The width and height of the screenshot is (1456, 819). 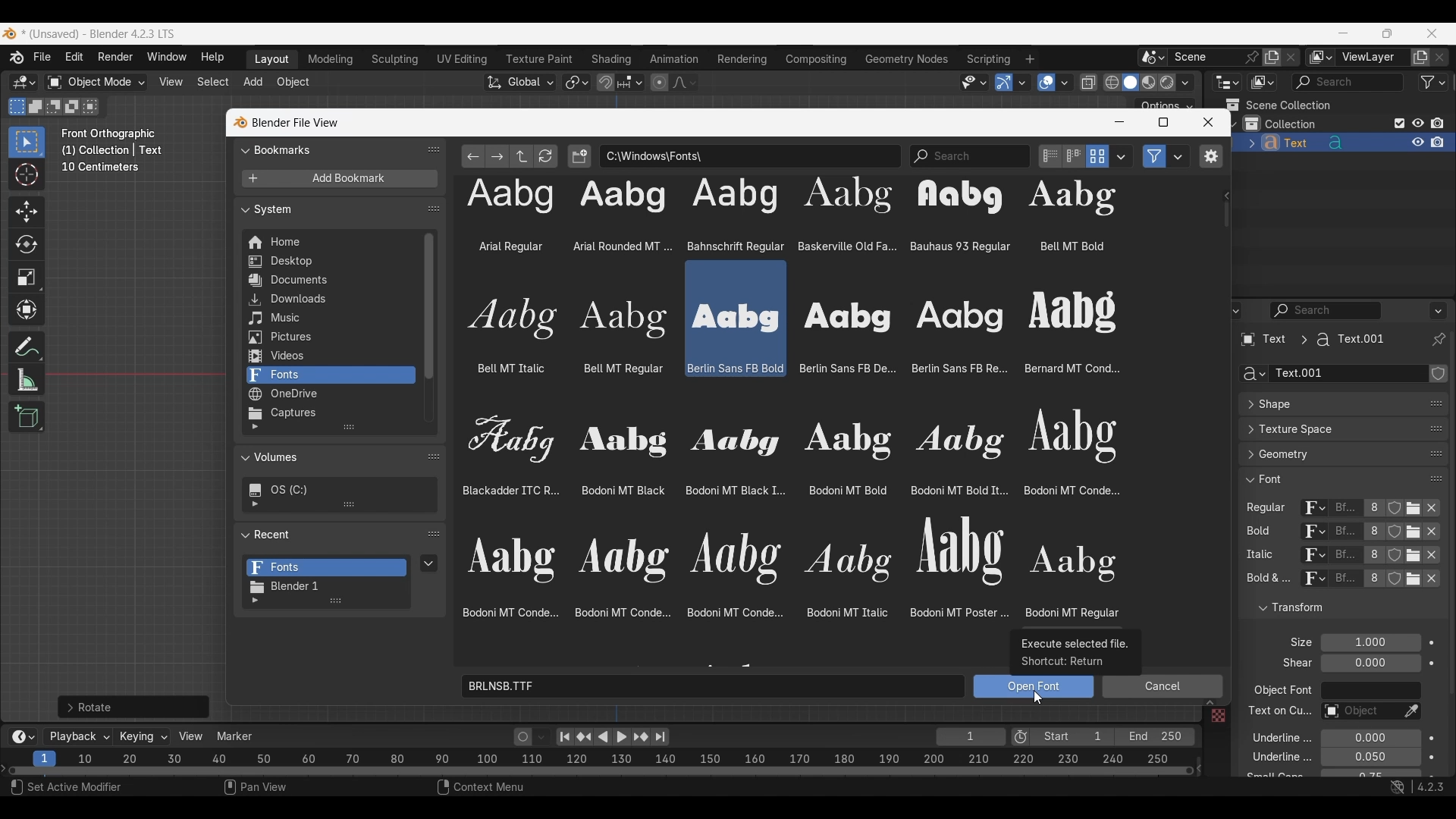 I want to click on Render menu, so click(x=115, y=58).